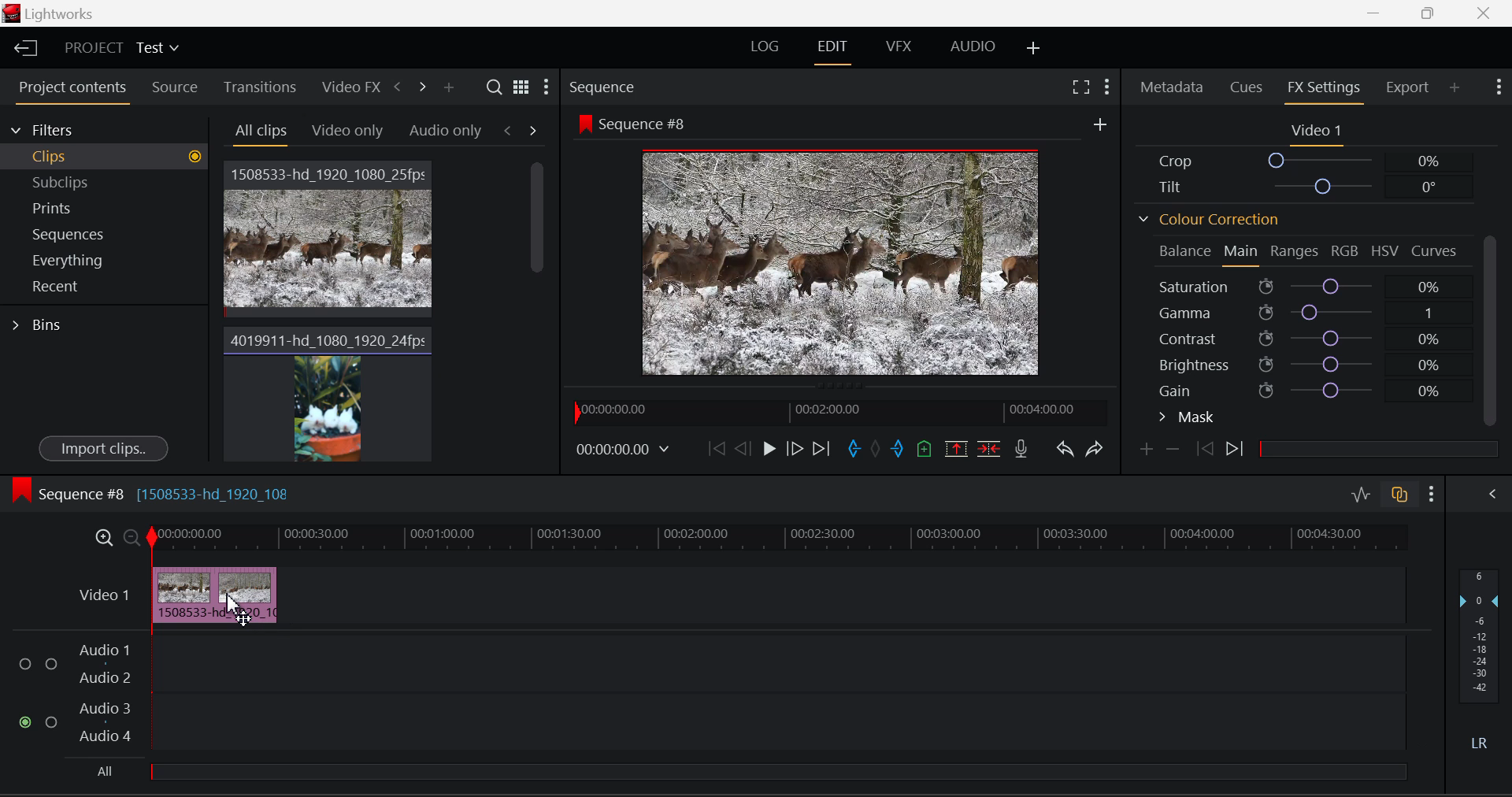 The height and width of the screenshot is (797, 1512). What do you see at coordinates (1247, 87) in the screenshot?
I see `Cues` at bounding box center [1247, 87].